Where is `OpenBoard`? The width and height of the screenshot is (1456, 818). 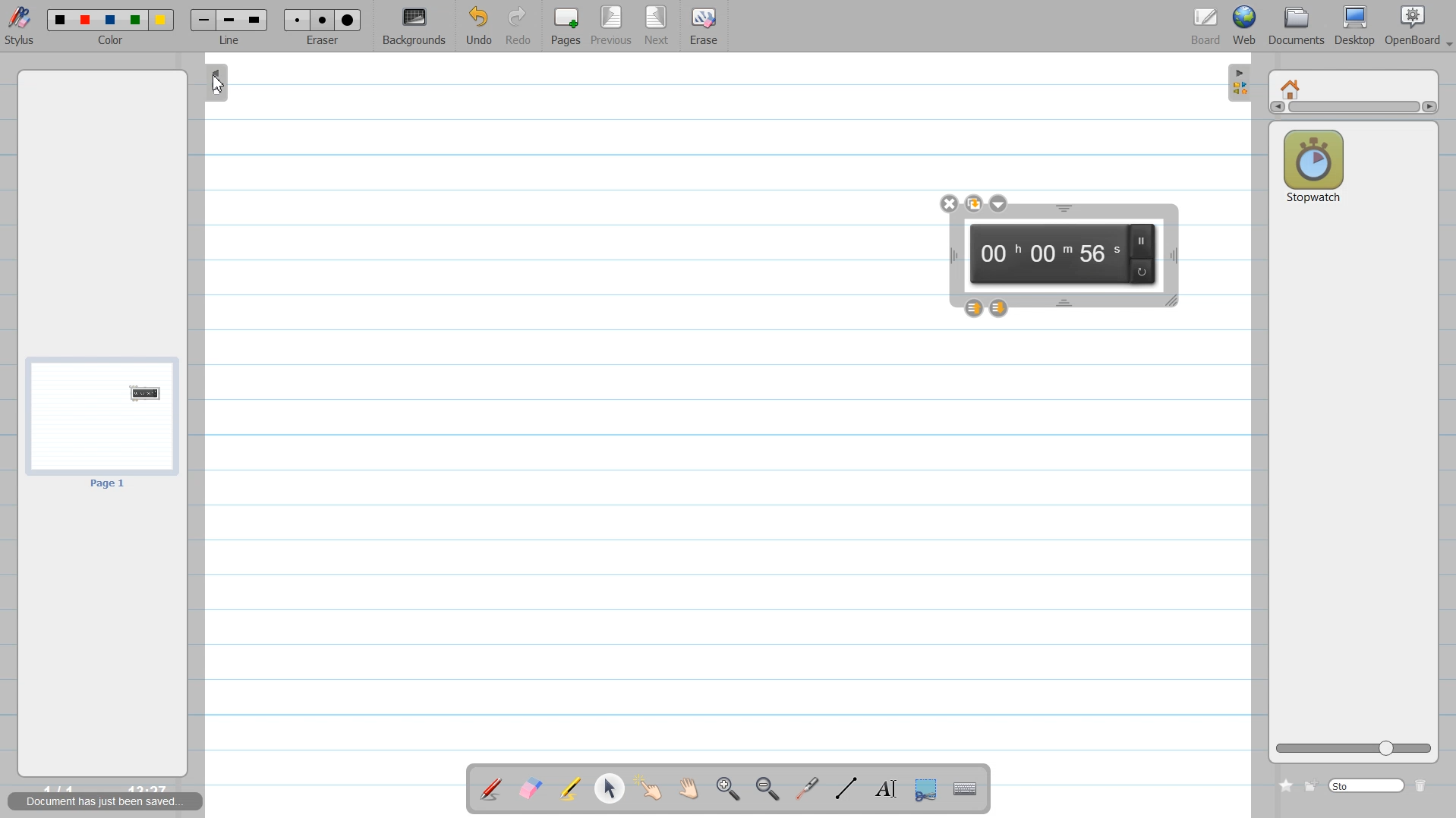
OpenBoard is located at coordinates (1410, 26).